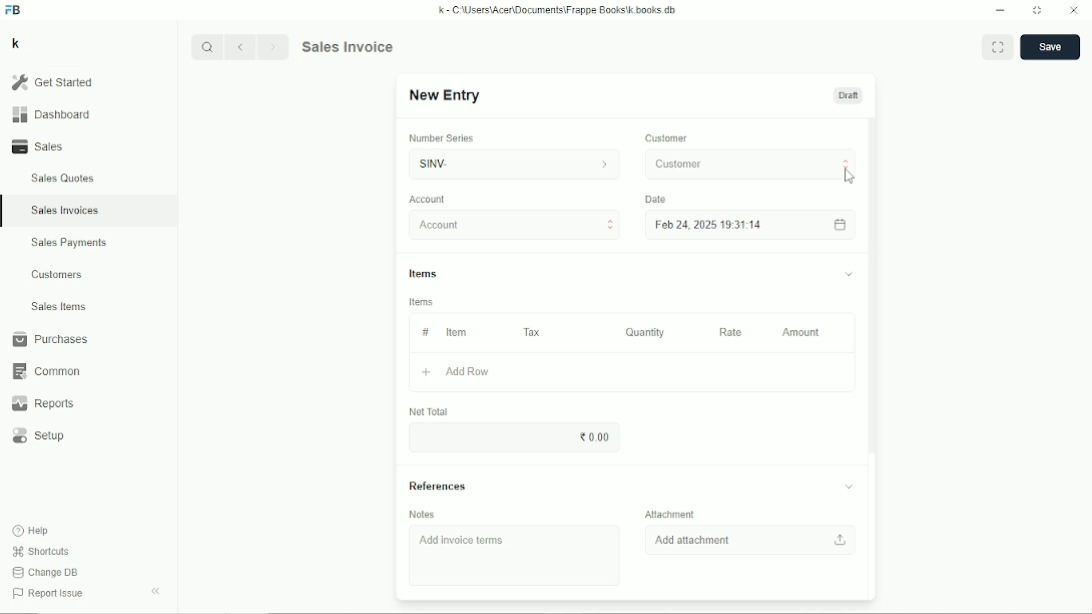 The height and width of the screenshot is (614, 1092). Describe the element at coordinates (465, 541) in the screenshot. I see `Add invoice items` at that location.